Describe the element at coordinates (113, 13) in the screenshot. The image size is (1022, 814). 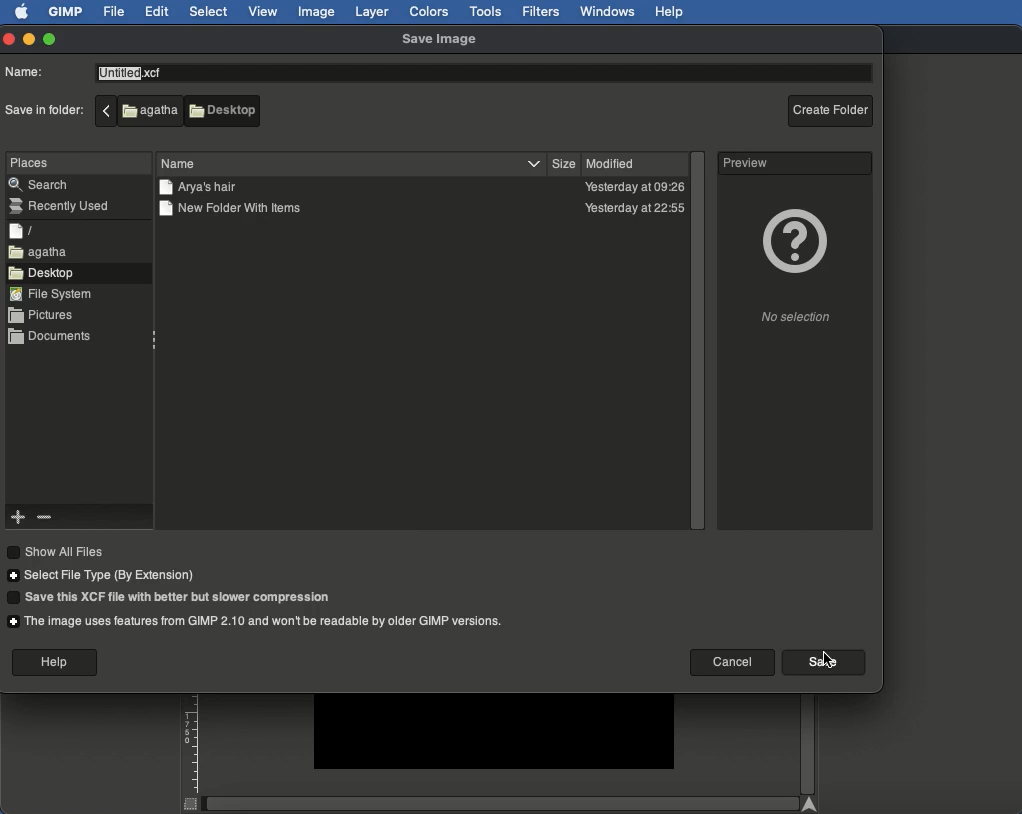
I see `File` at that location.